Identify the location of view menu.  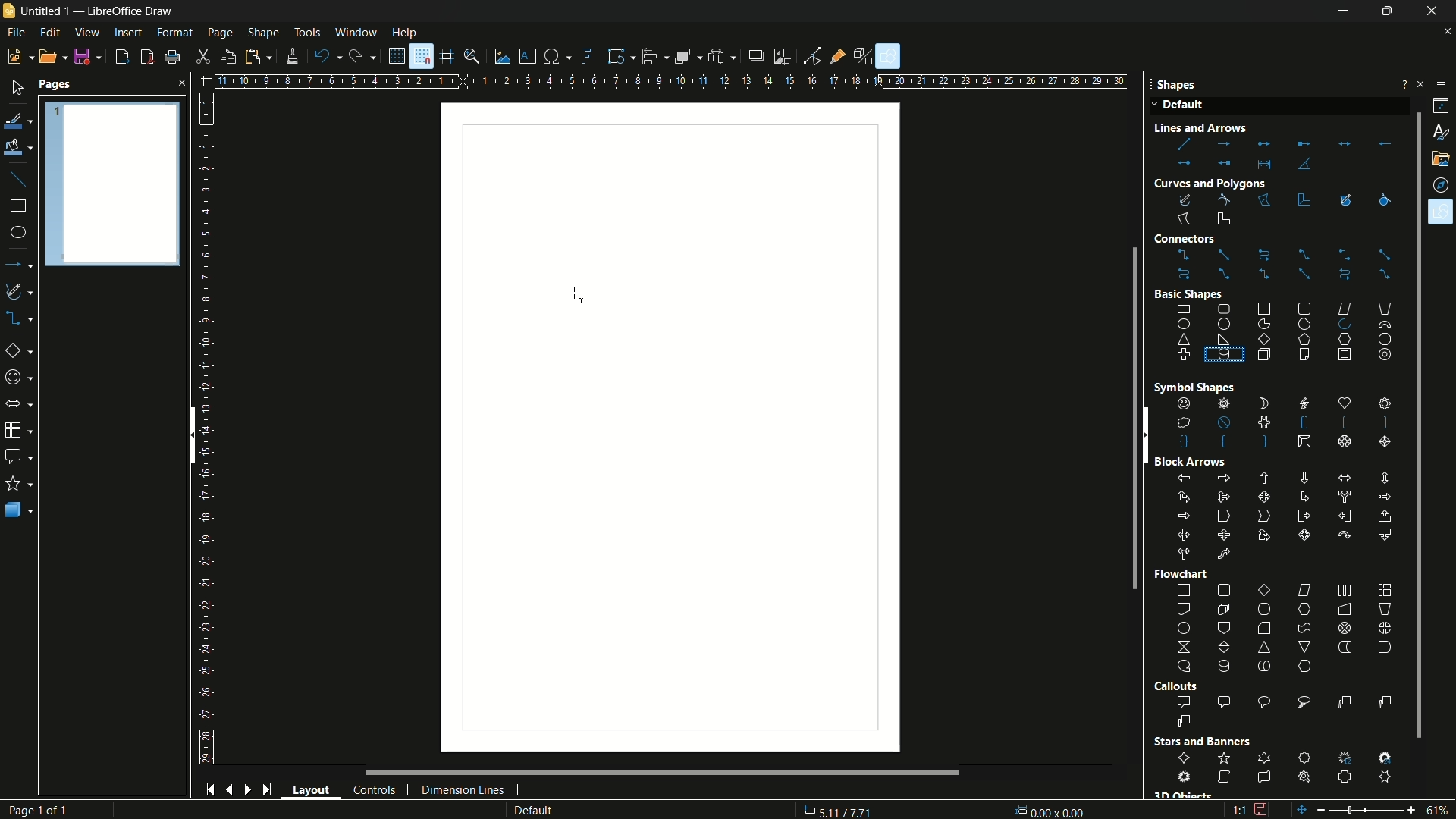
(88, 32).